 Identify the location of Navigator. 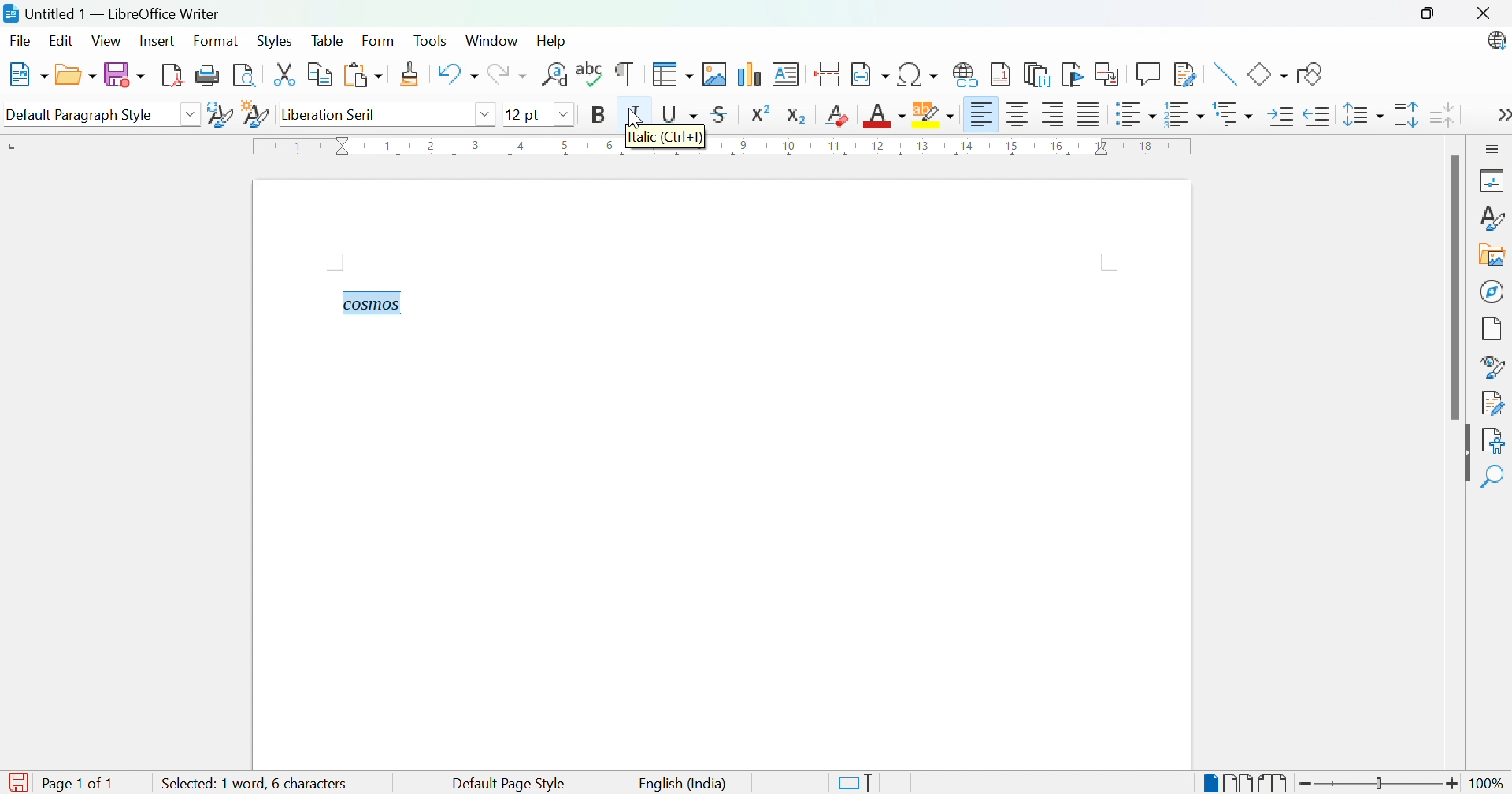
(1492, 289).